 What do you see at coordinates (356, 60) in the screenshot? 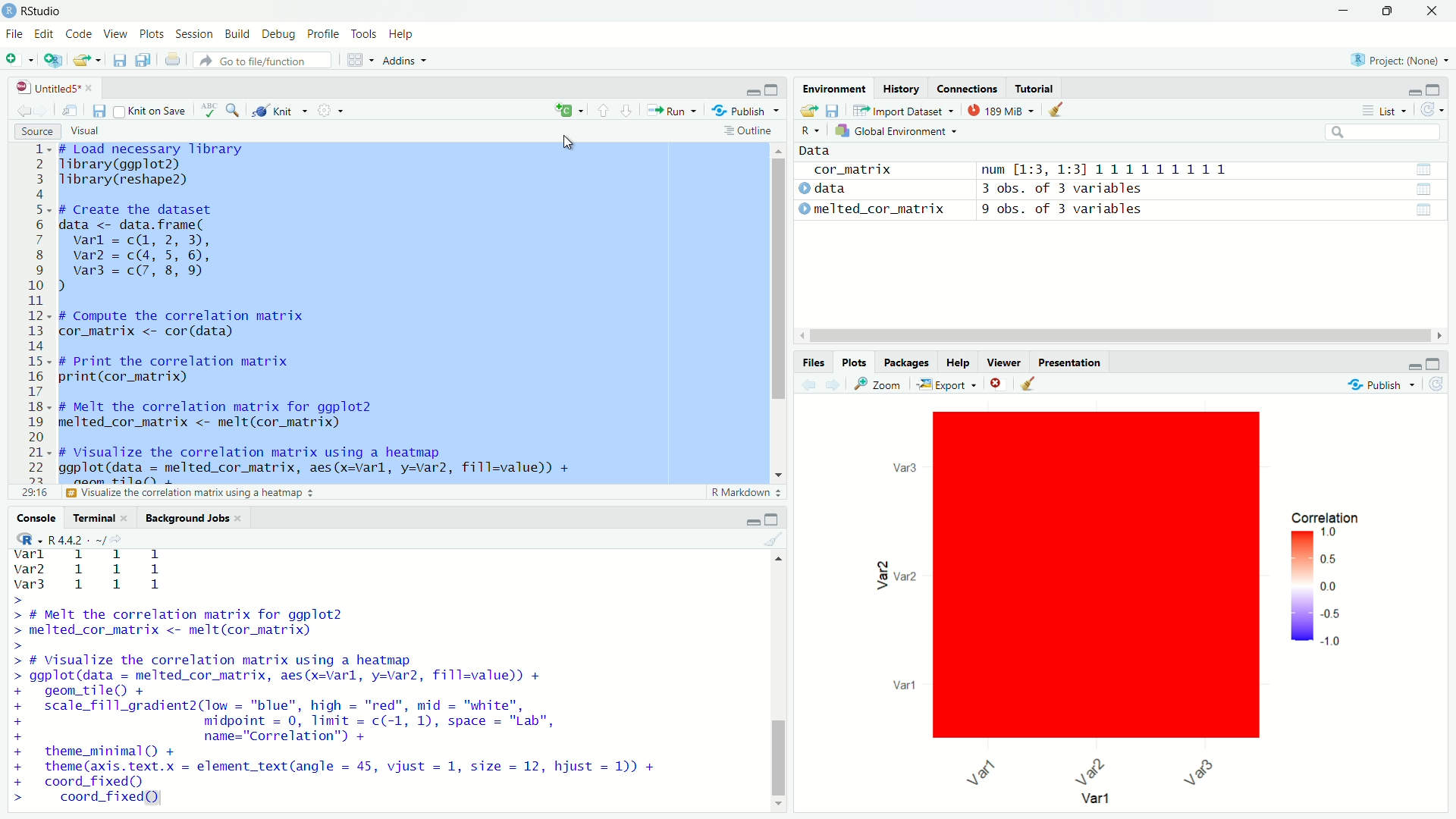
I see `workspace panes` at bounding box center [356, 60].